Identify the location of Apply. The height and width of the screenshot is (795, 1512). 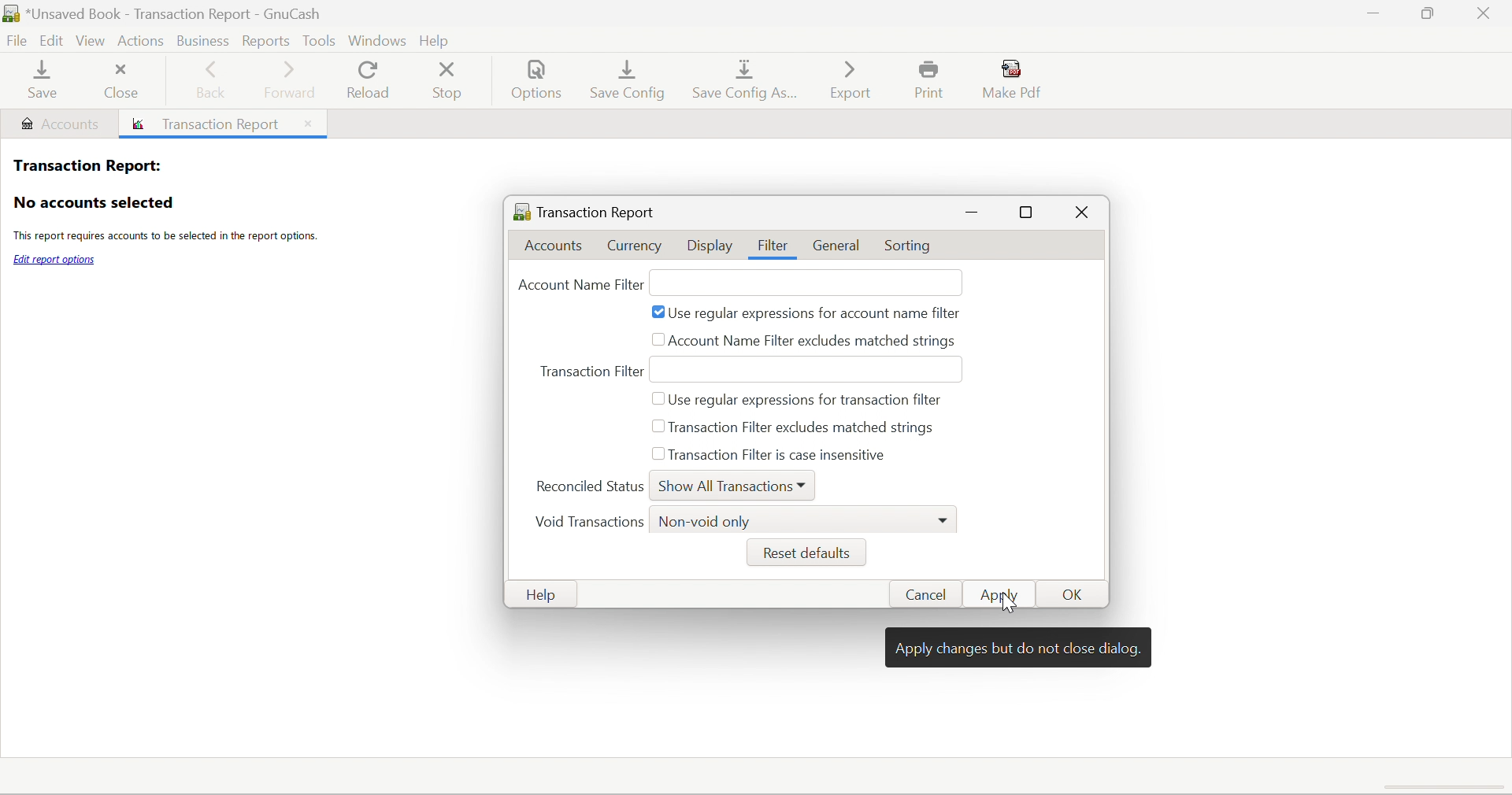
(1007, 594).